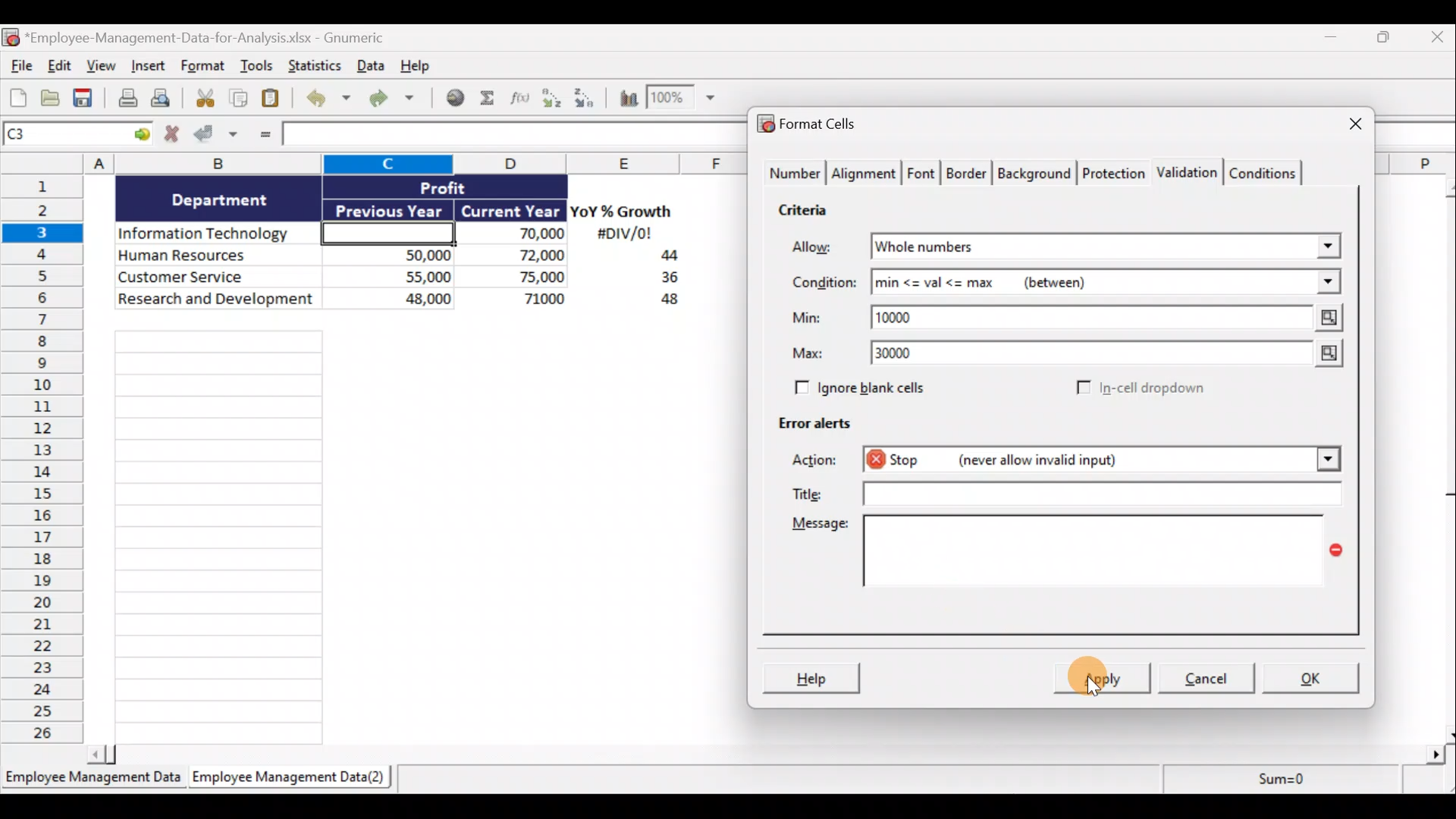  What do you see at coordinates (384, 231) in the screenshot?
I see `Cell C3` at bounding box center [384, 231].